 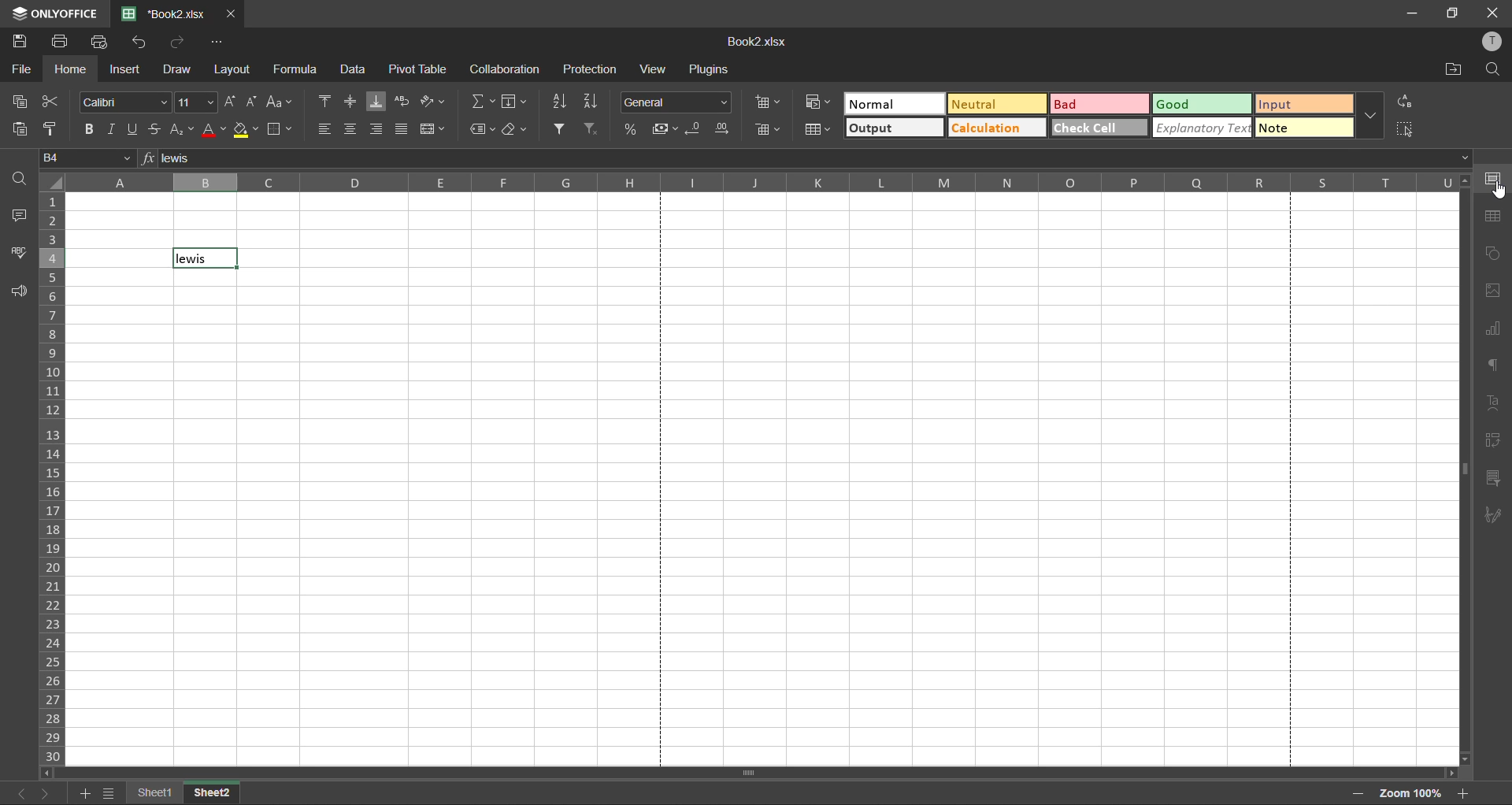 What do you see at coordinates (591, 129) in the screenshot?
I see `clear filter` at bounding box center [591, 129].